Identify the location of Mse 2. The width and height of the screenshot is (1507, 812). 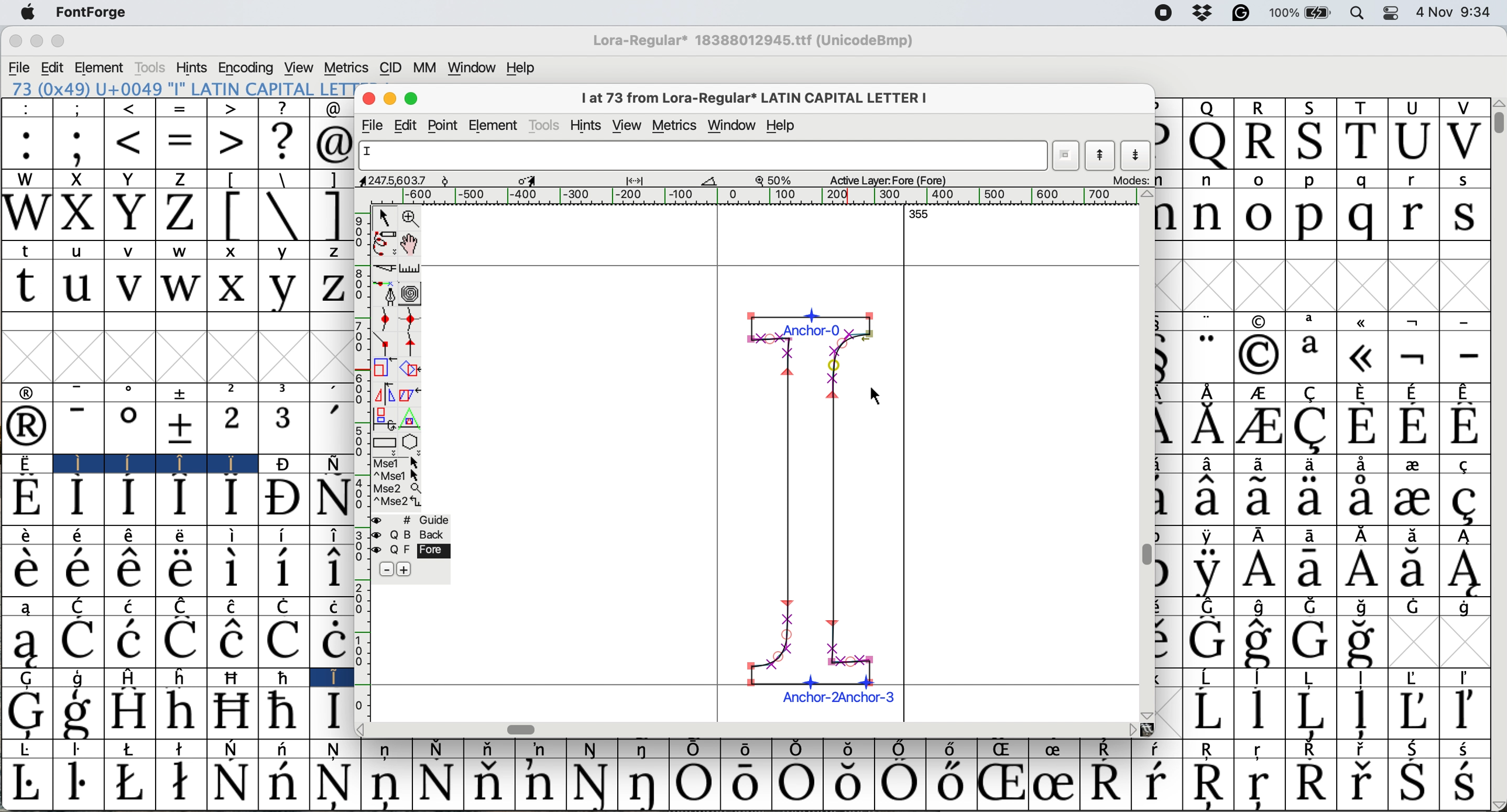
(399, 488).